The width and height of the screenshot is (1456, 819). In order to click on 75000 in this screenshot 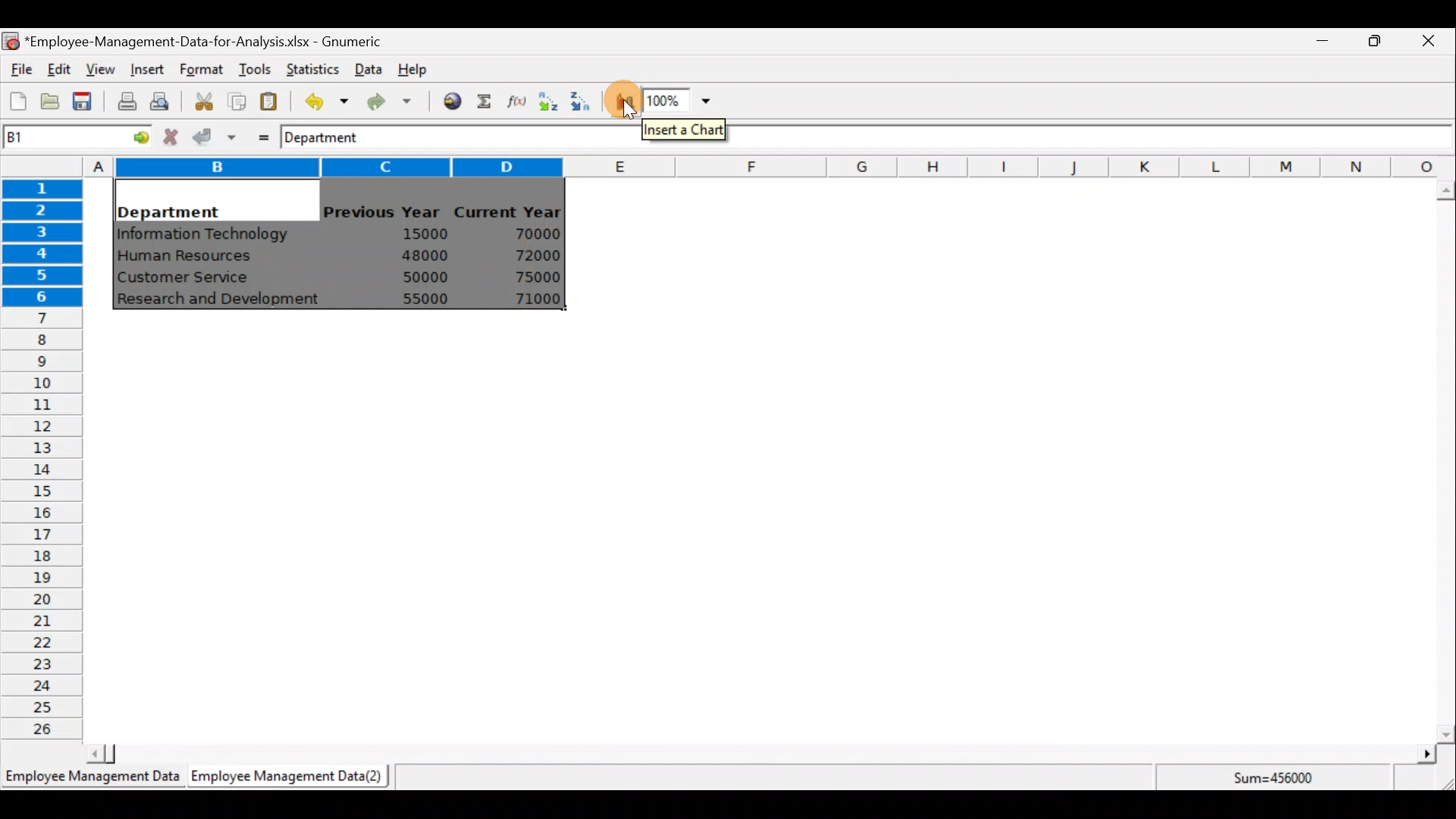, I will do `click(529, 278)`.